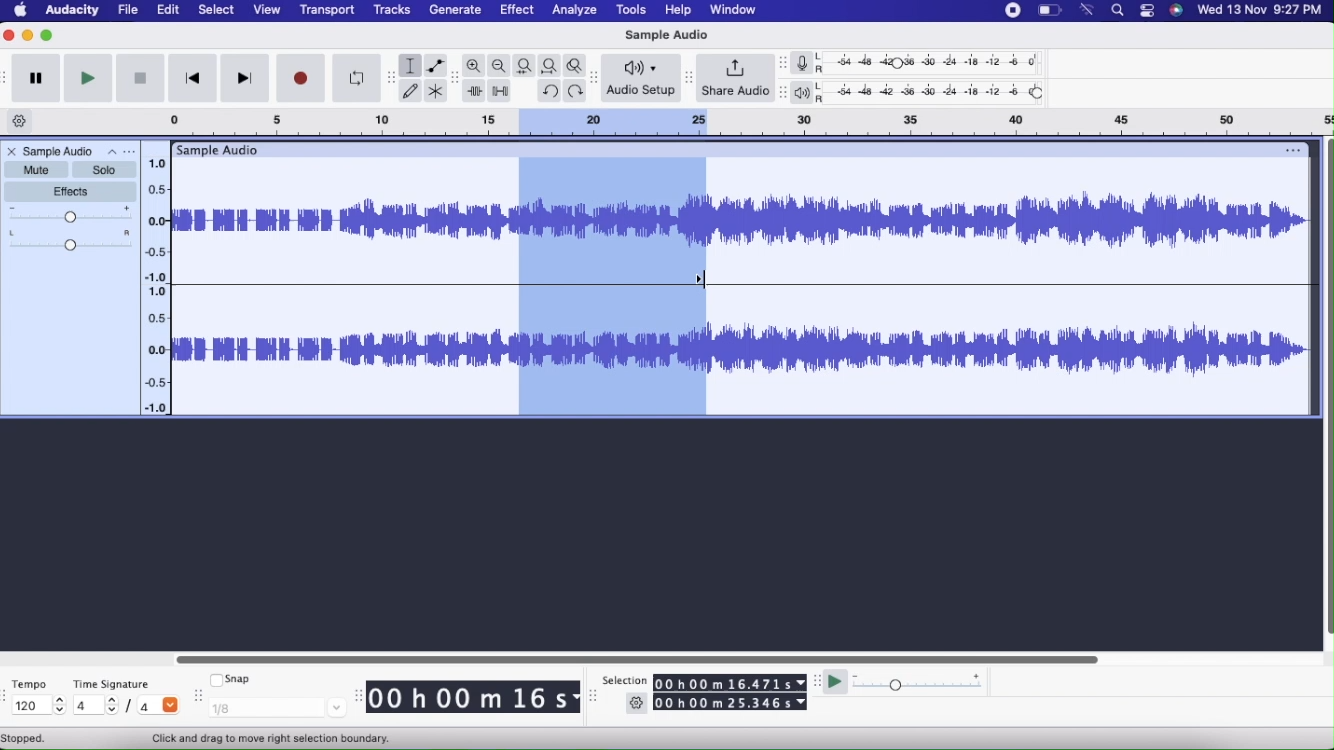 This screenshot has height=750, width=1334. What do you see at coordinates (24, 739) in the screenshot?
I see `Stopped` at bounding box center [24, 739].